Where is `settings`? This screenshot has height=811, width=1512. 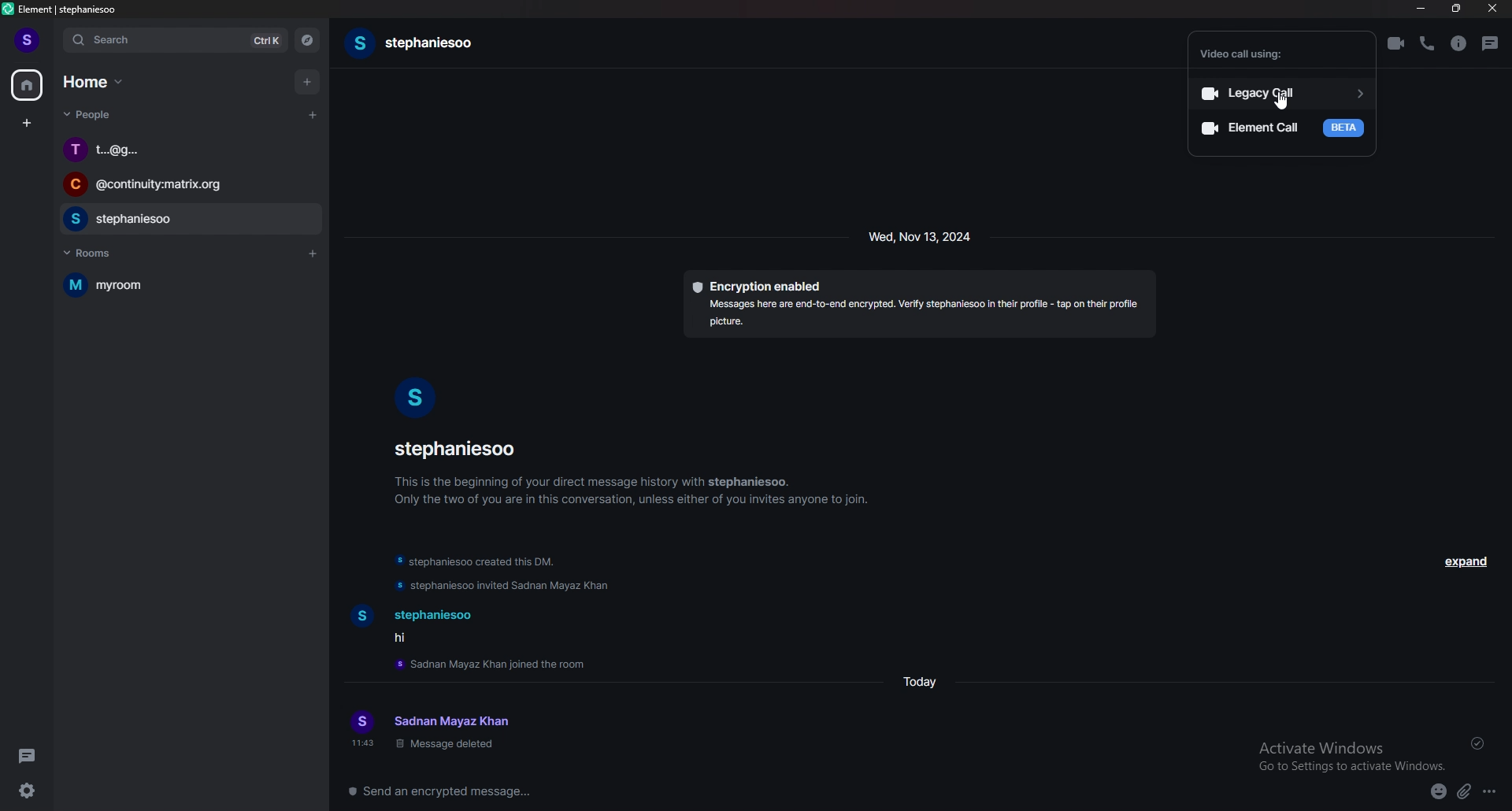 settings is located at coordinates (27, 791).